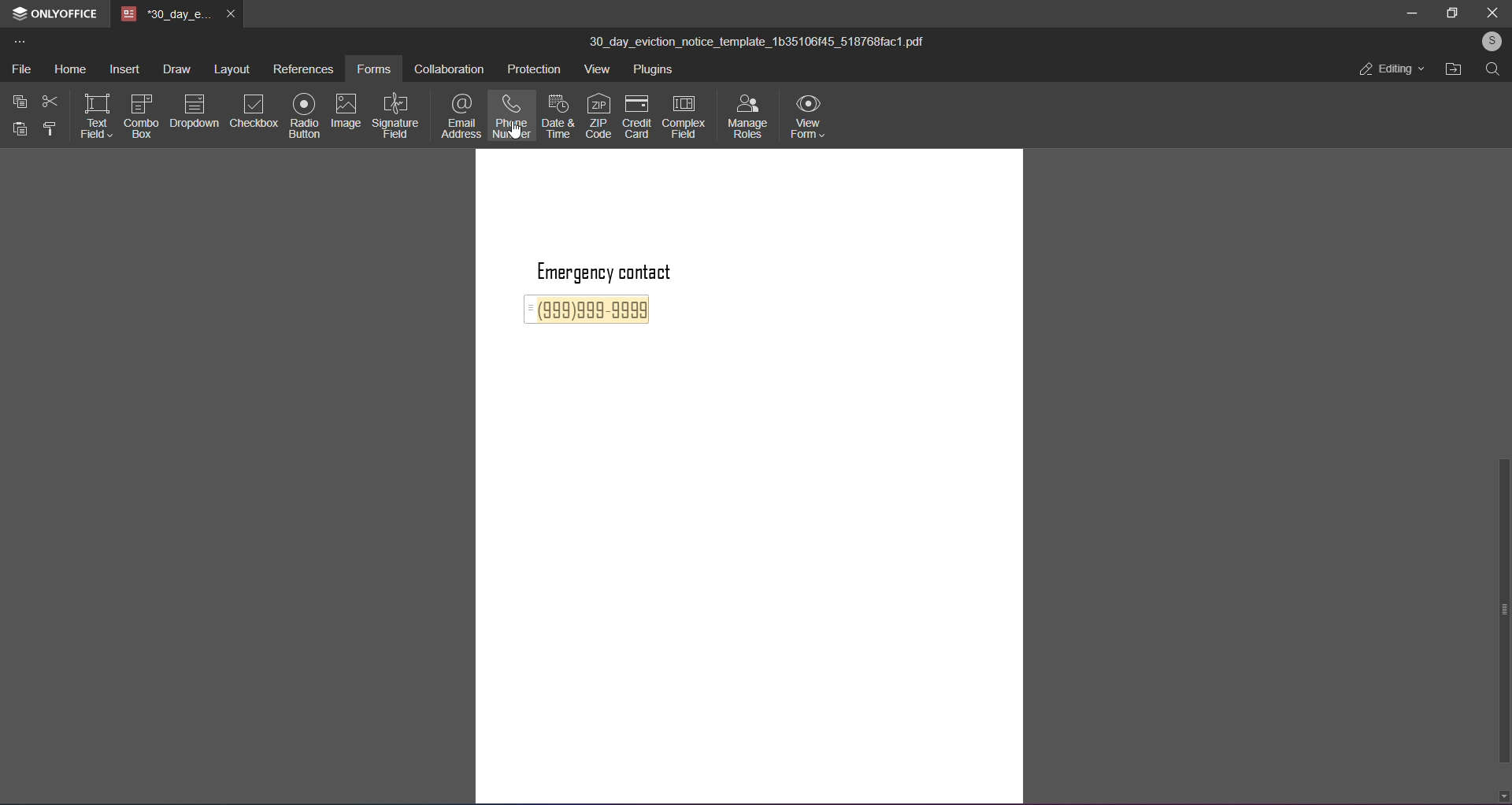 This screenshot has height=805, width=1512. Describe the element at coordinates (67, 70) in the screenshot. I see `home` at that location.